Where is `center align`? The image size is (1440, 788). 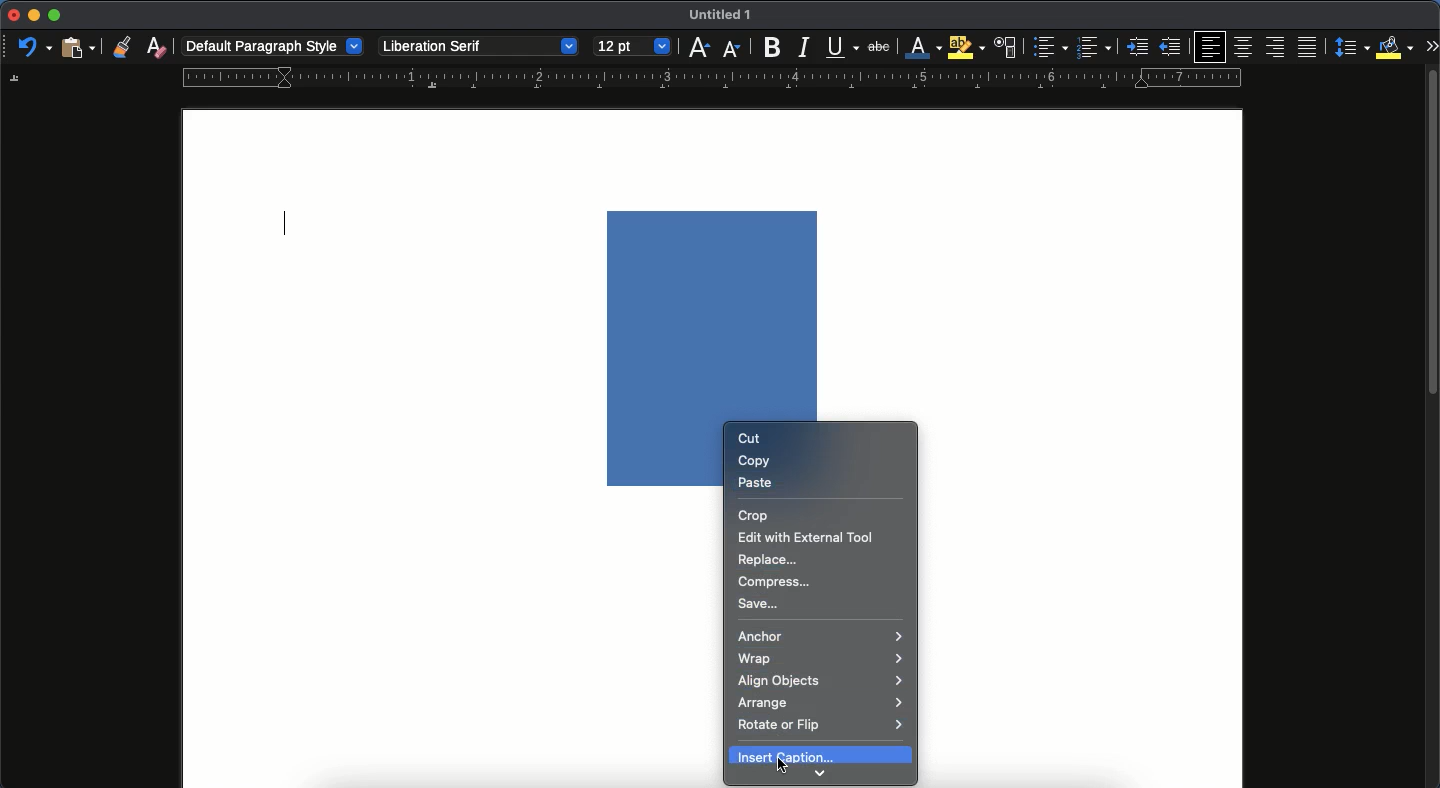
center align is located at coordinates (1245, 47).